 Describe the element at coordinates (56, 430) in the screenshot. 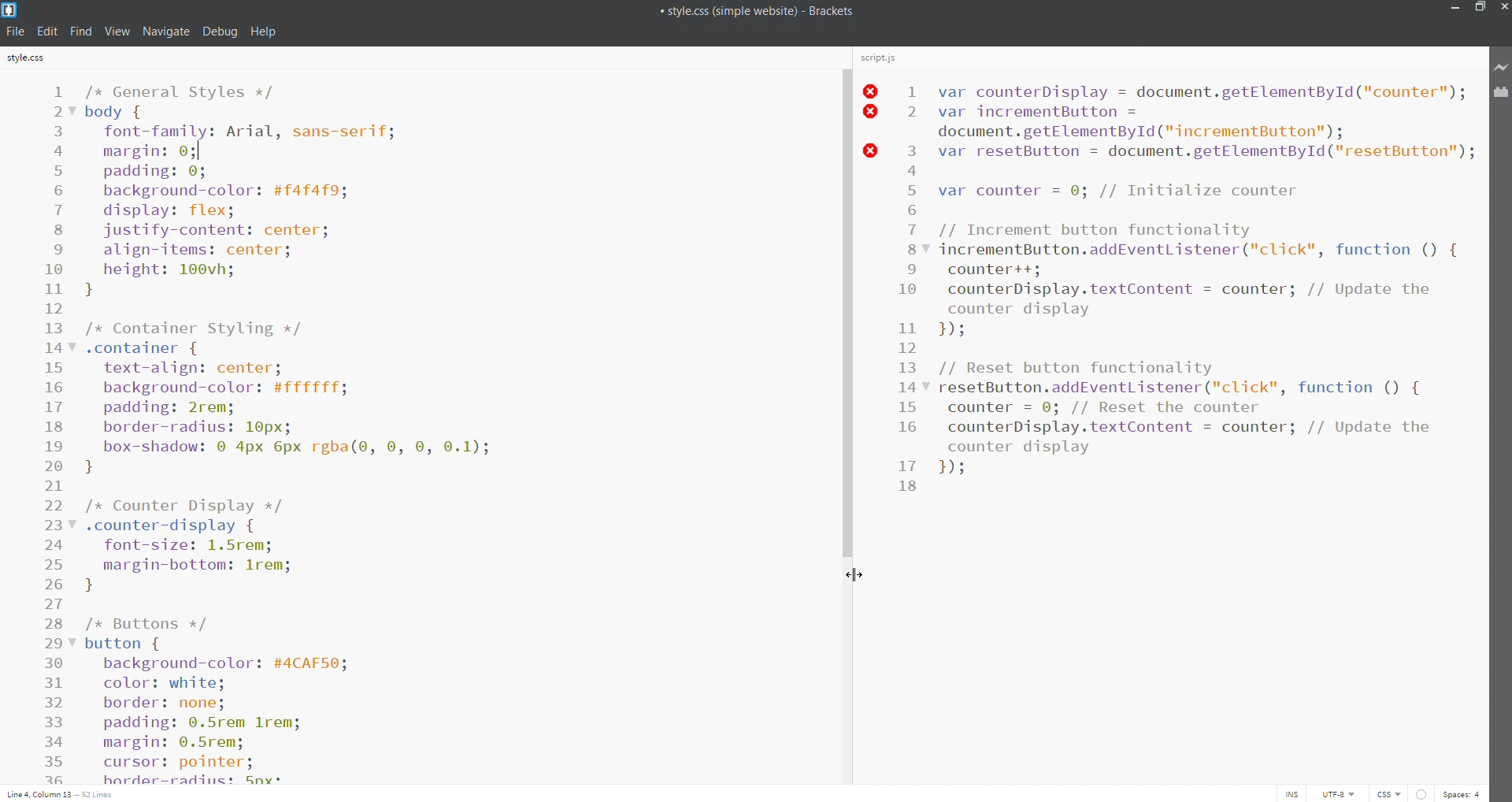

I see `line number` at that location.